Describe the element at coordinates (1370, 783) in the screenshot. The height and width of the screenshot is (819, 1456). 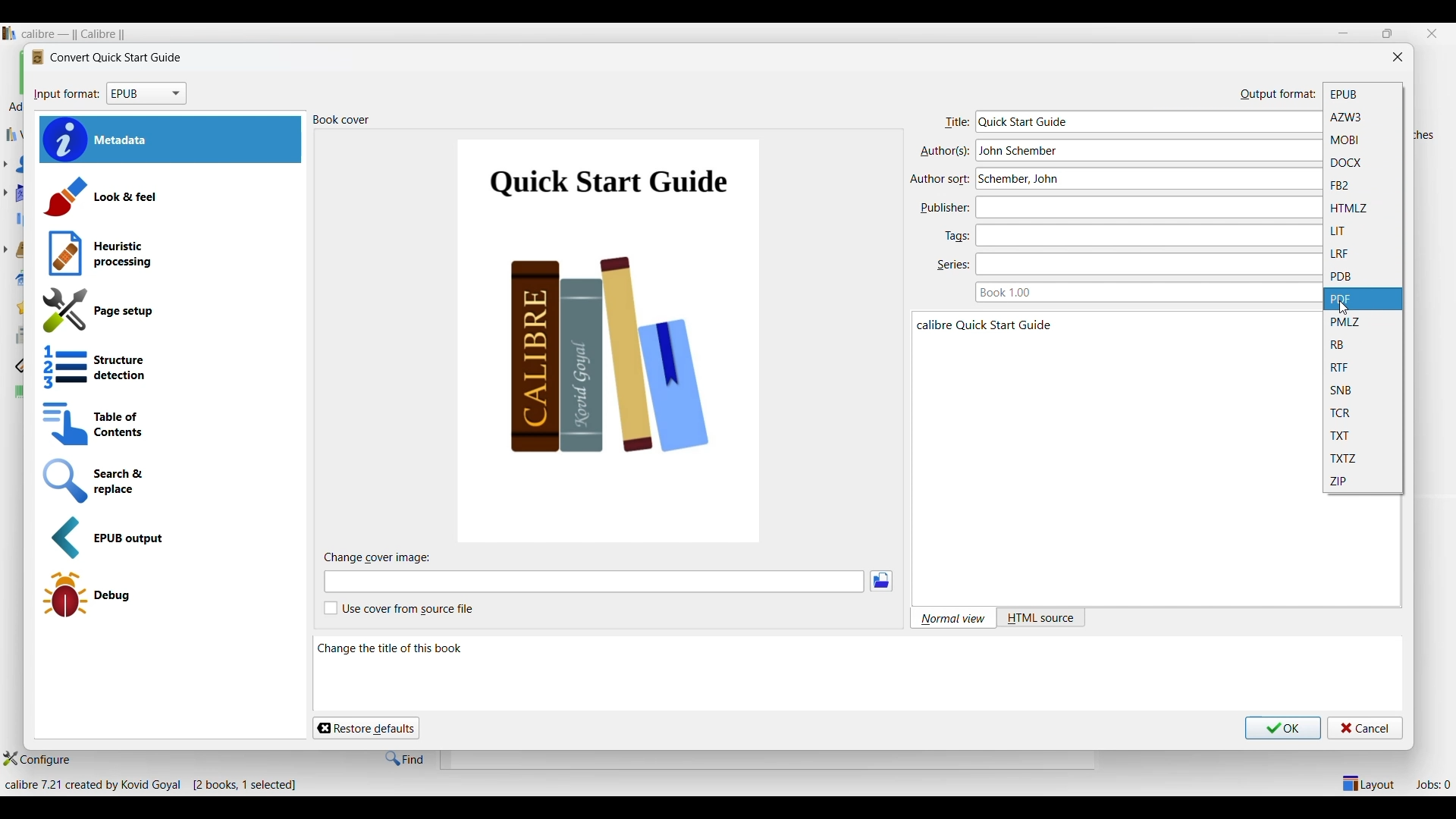
I see `Show/Hide parts of the main layout` at that location.